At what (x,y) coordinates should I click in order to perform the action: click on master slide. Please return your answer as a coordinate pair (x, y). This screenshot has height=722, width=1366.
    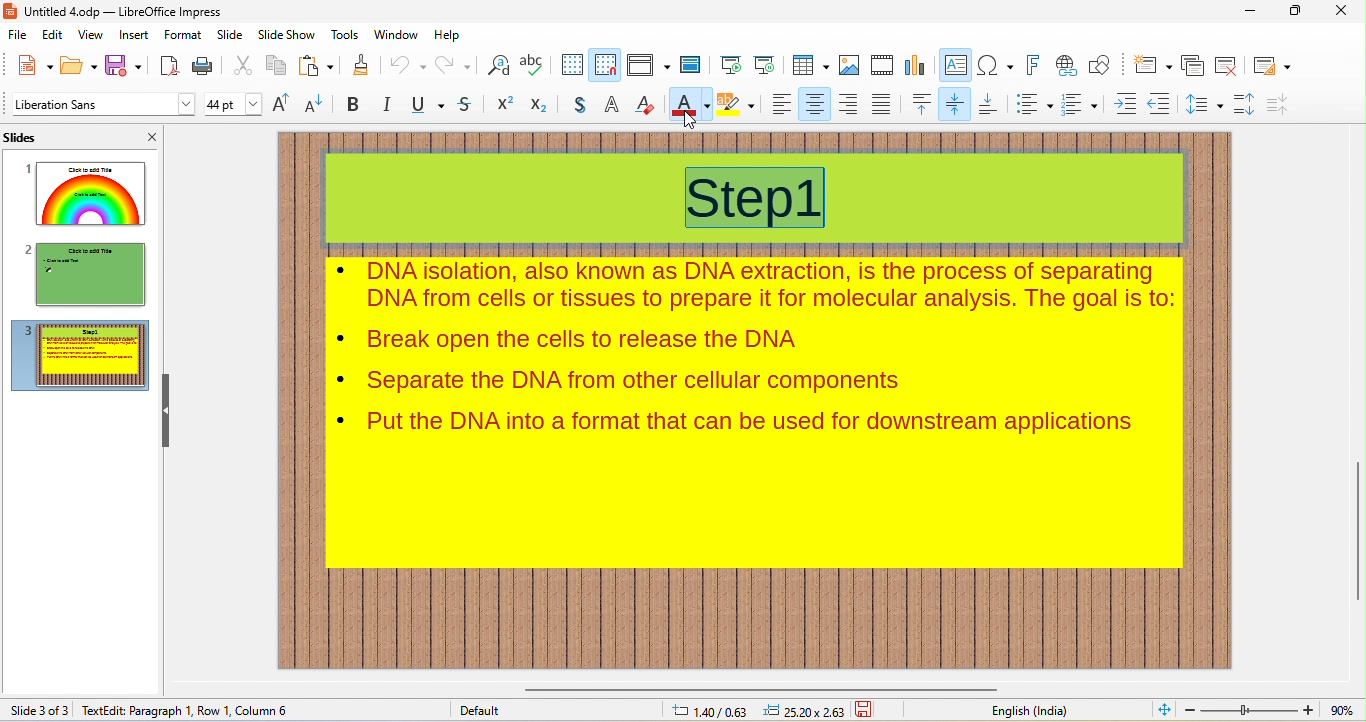
    Looking at the image, I should click on (691, 66).